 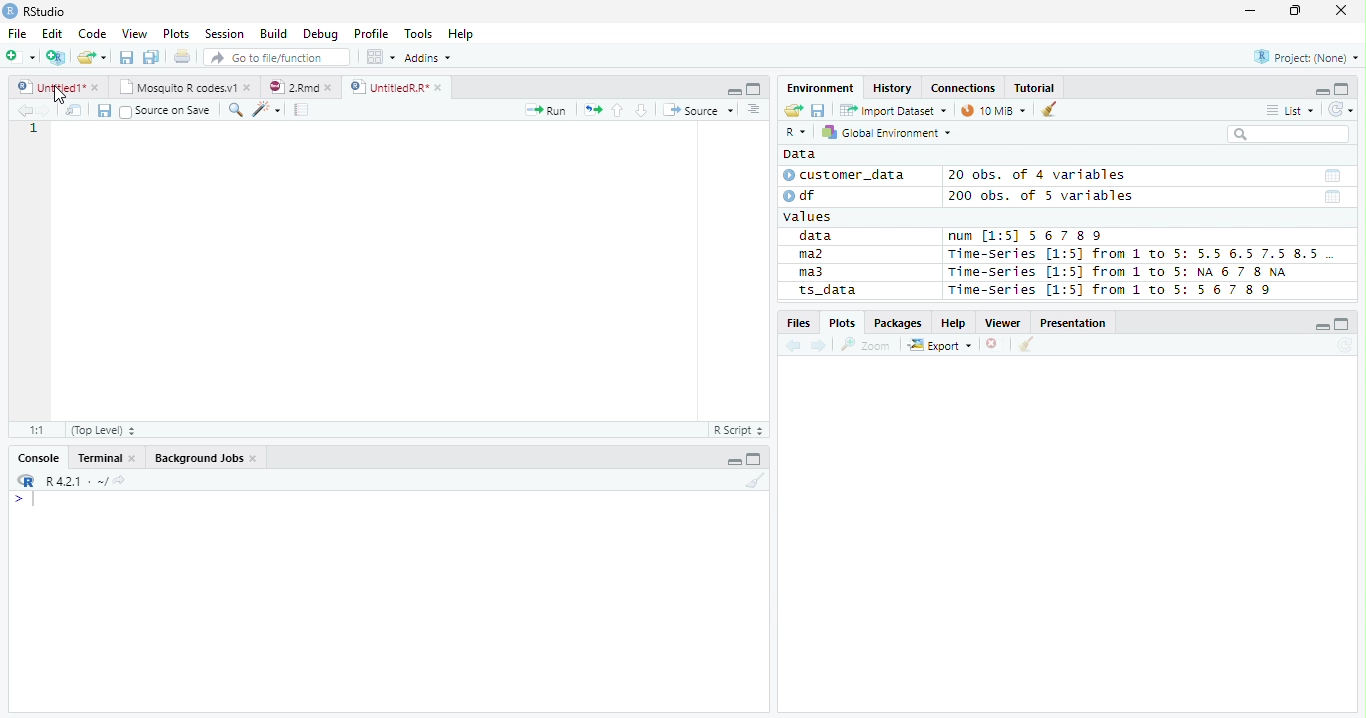 I want to click on Minimze, so click(x=1320, y=90).